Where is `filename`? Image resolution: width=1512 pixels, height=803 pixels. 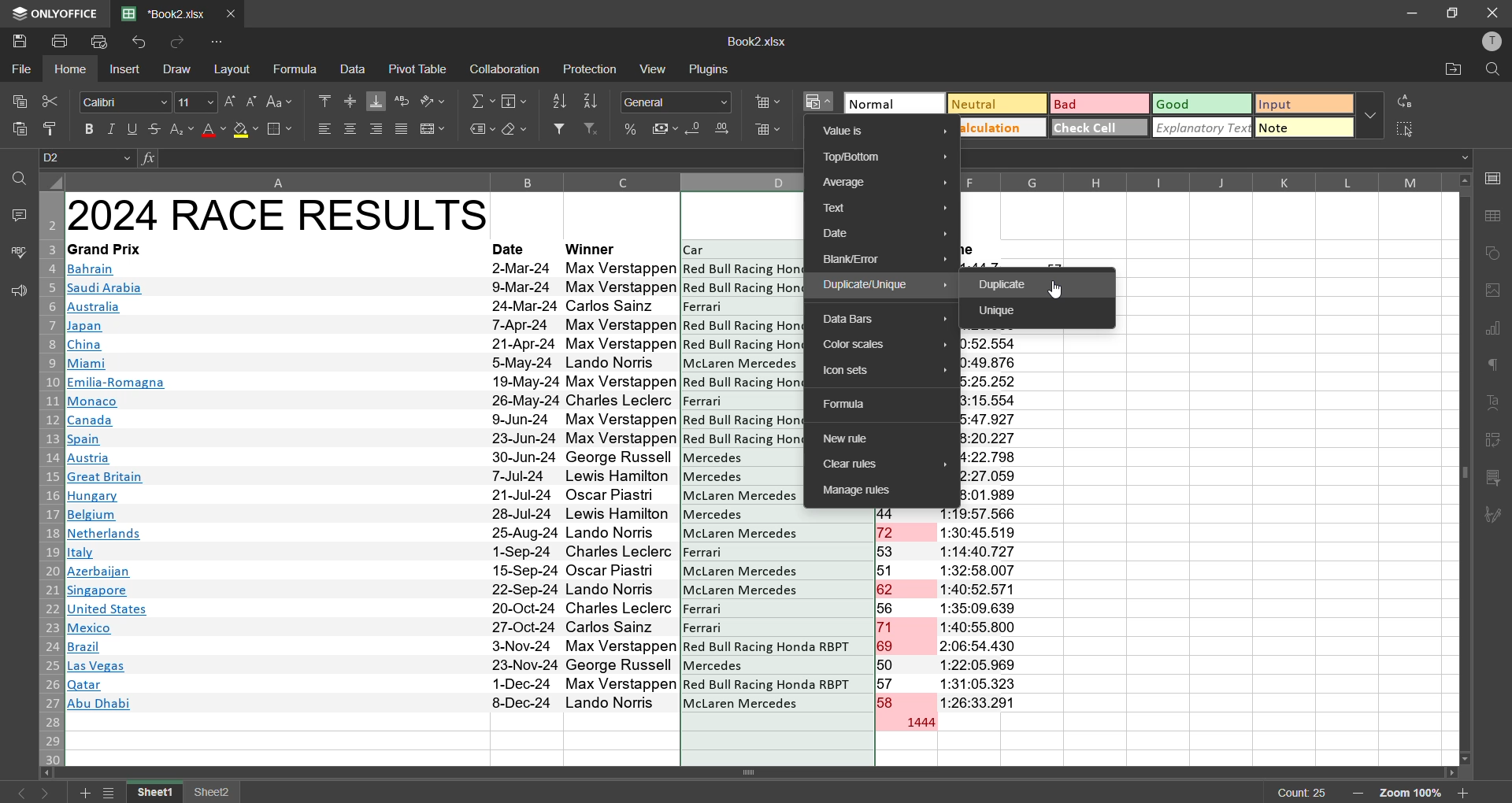 filename is located at coordinates (169, 12).